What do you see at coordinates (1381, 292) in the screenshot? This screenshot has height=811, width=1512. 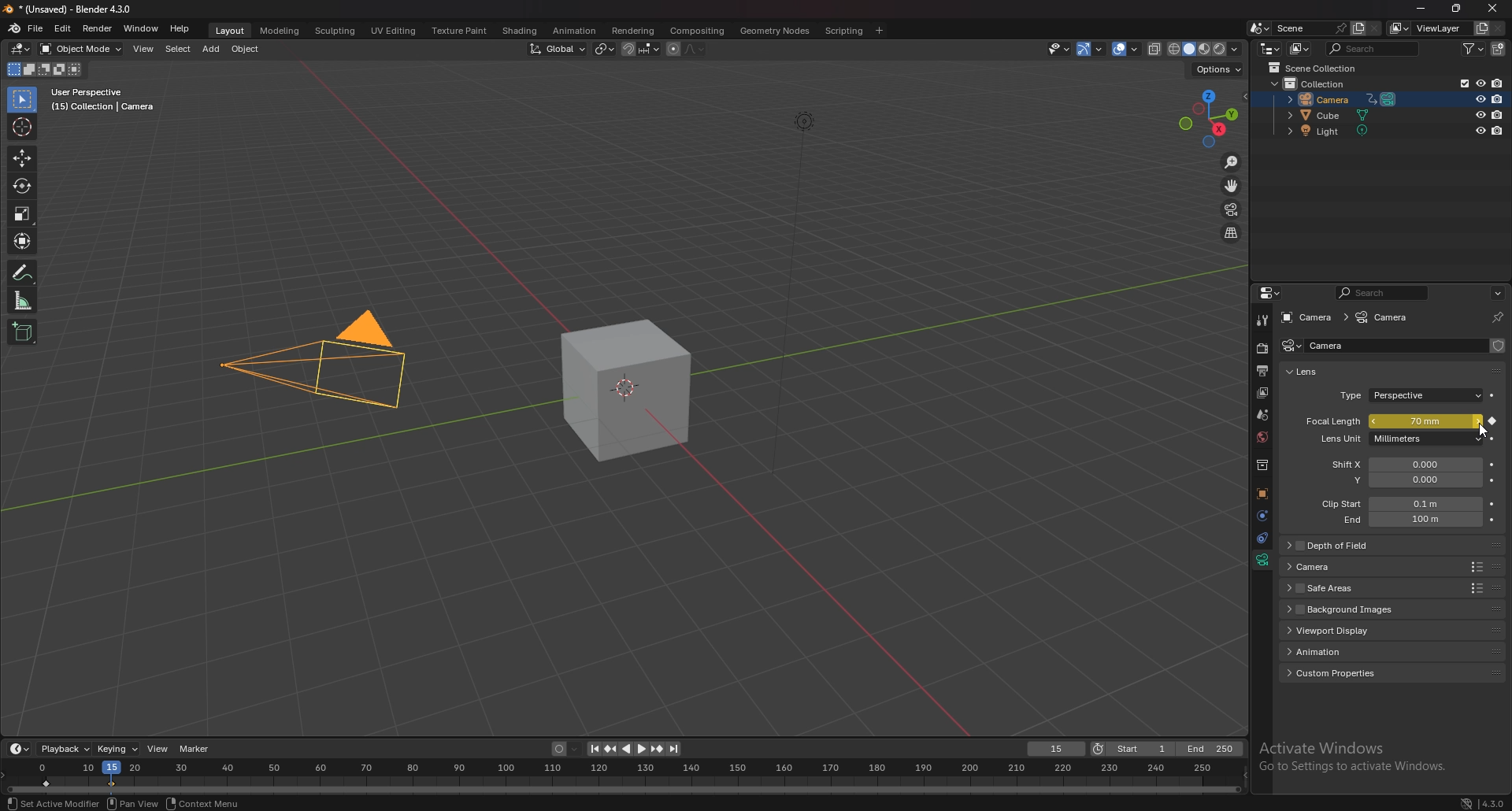 I see `search` at bounding box center [1381, 292].